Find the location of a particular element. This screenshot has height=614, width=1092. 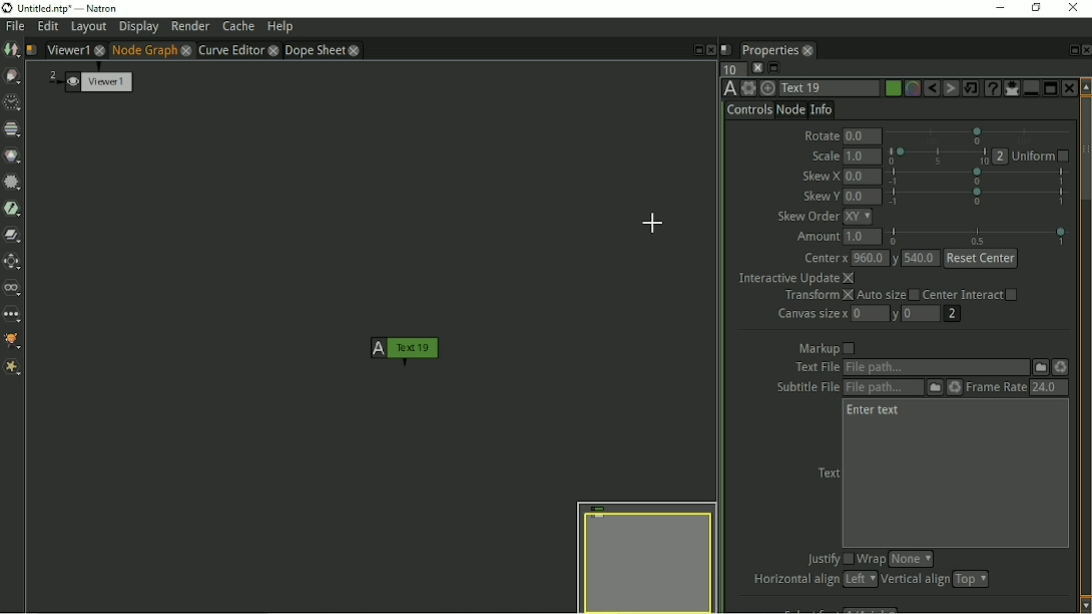

Auto size is located at coordinates (888, 296).